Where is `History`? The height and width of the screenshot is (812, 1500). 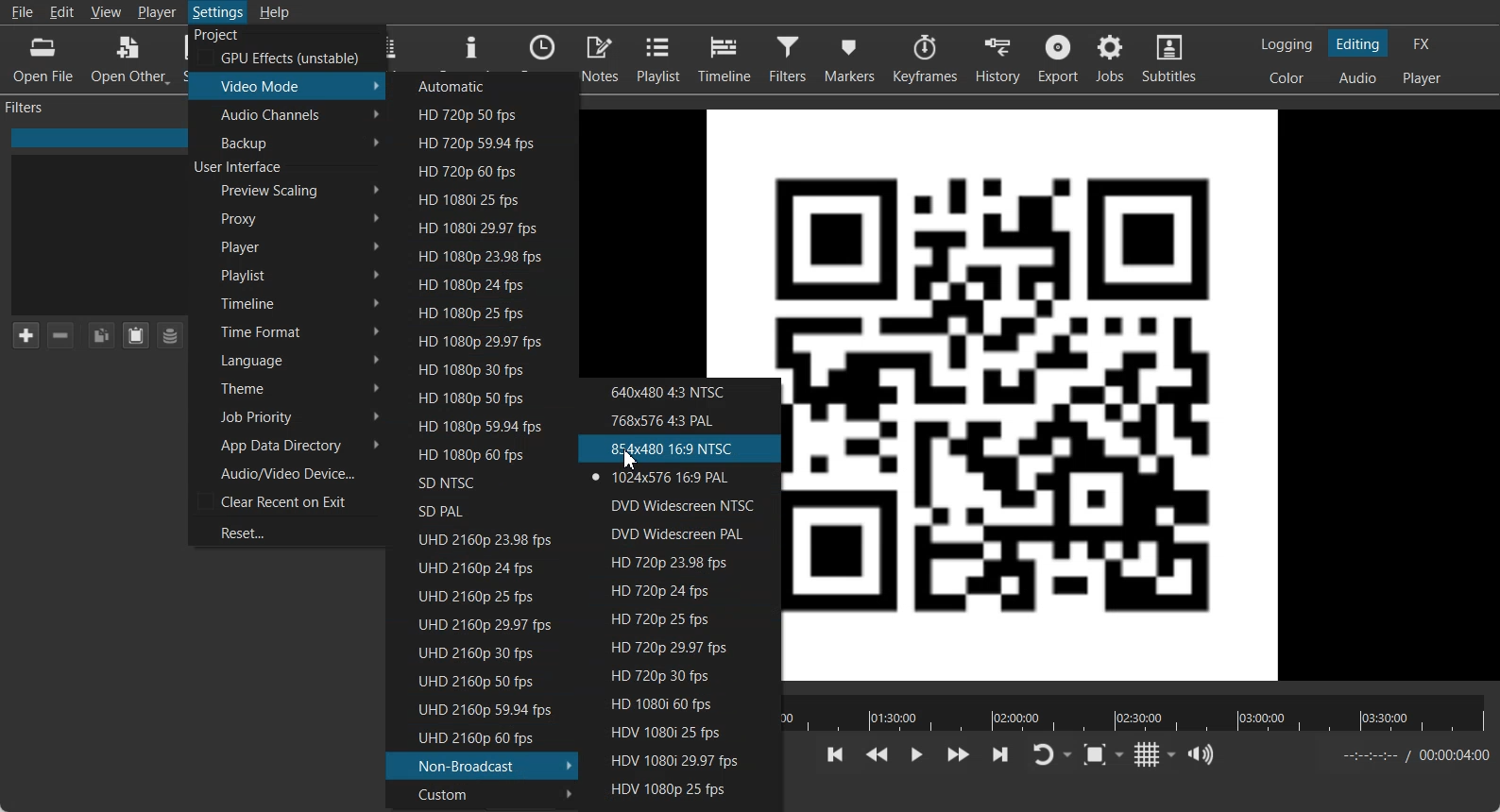 History is located at coordinates (997, 59).